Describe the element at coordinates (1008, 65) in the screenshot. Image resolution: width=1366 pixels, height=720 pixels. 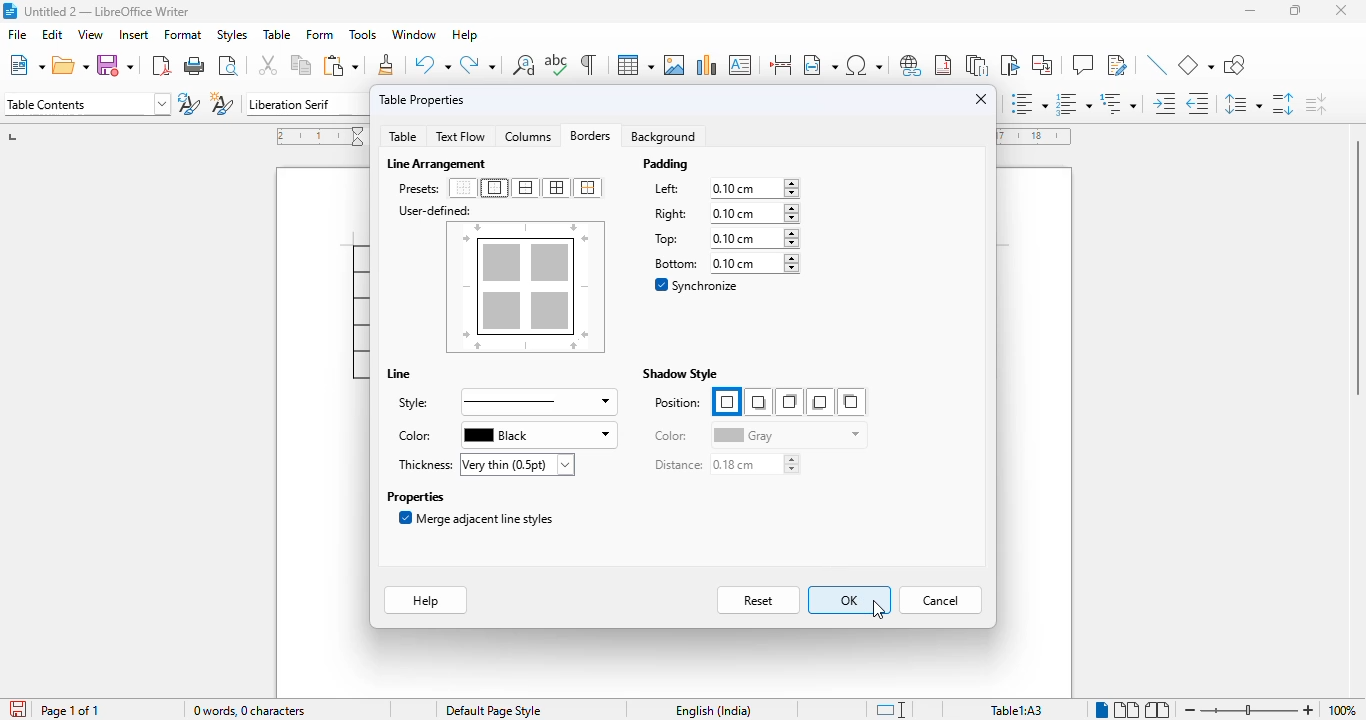
I see `insert bookmark` at that location.